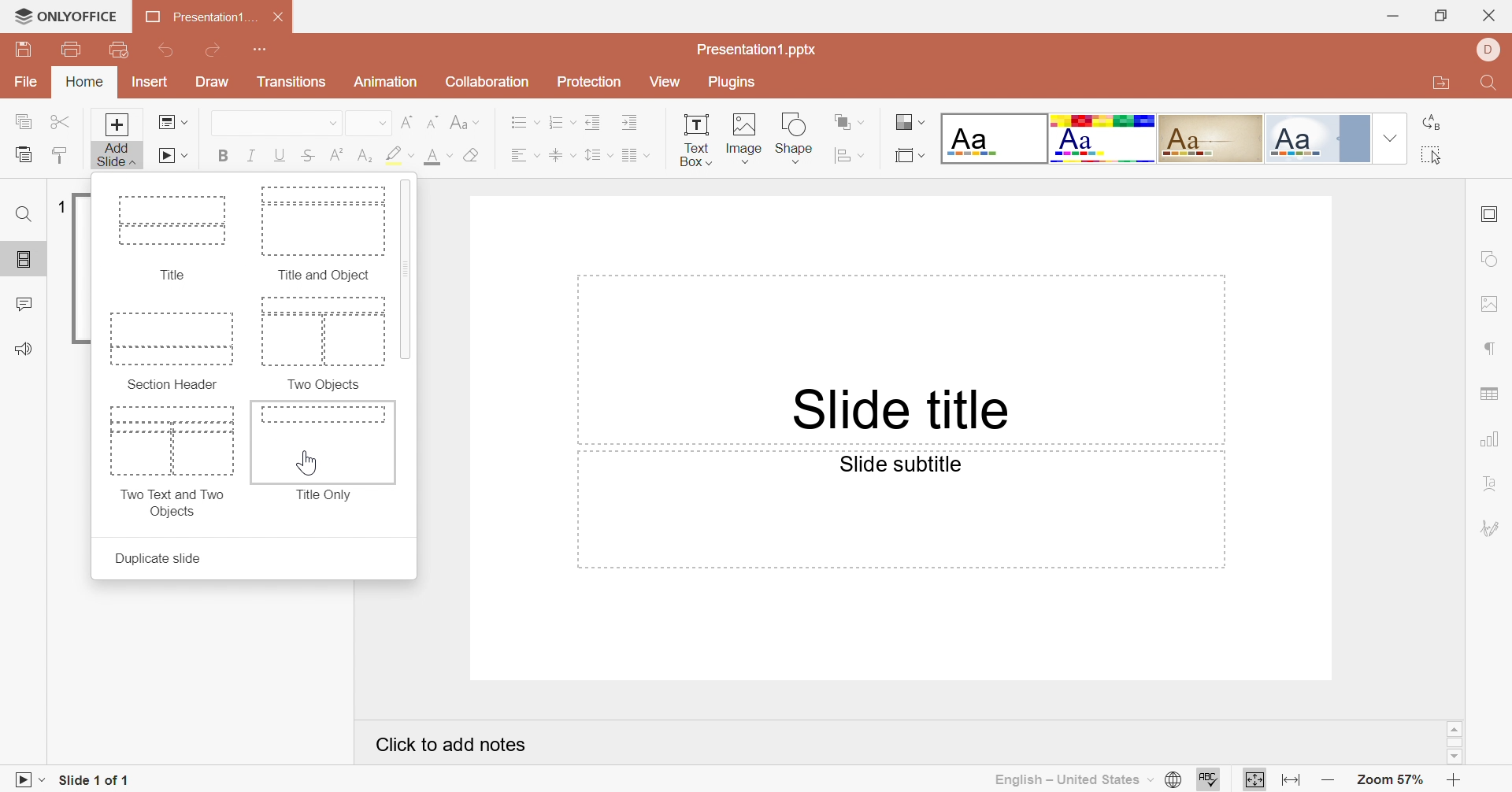  Describe the element at coordinates (792, 137) in the screenshot. I see `Shape` at that location.